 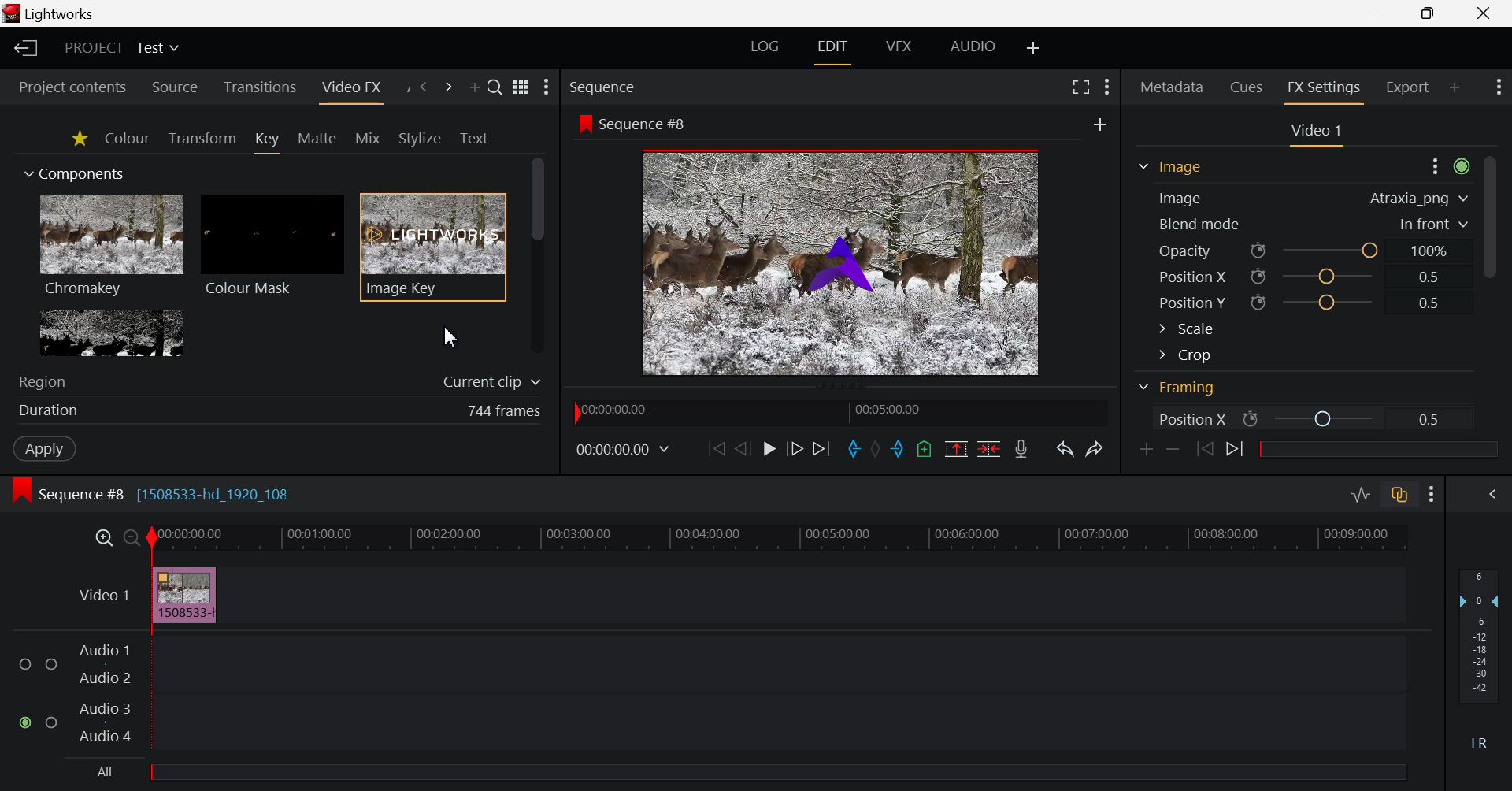 What do you see at coordinates (1106, 85) in the screenshot?
I see `Show Settings` at bounding box center [1106, 85].